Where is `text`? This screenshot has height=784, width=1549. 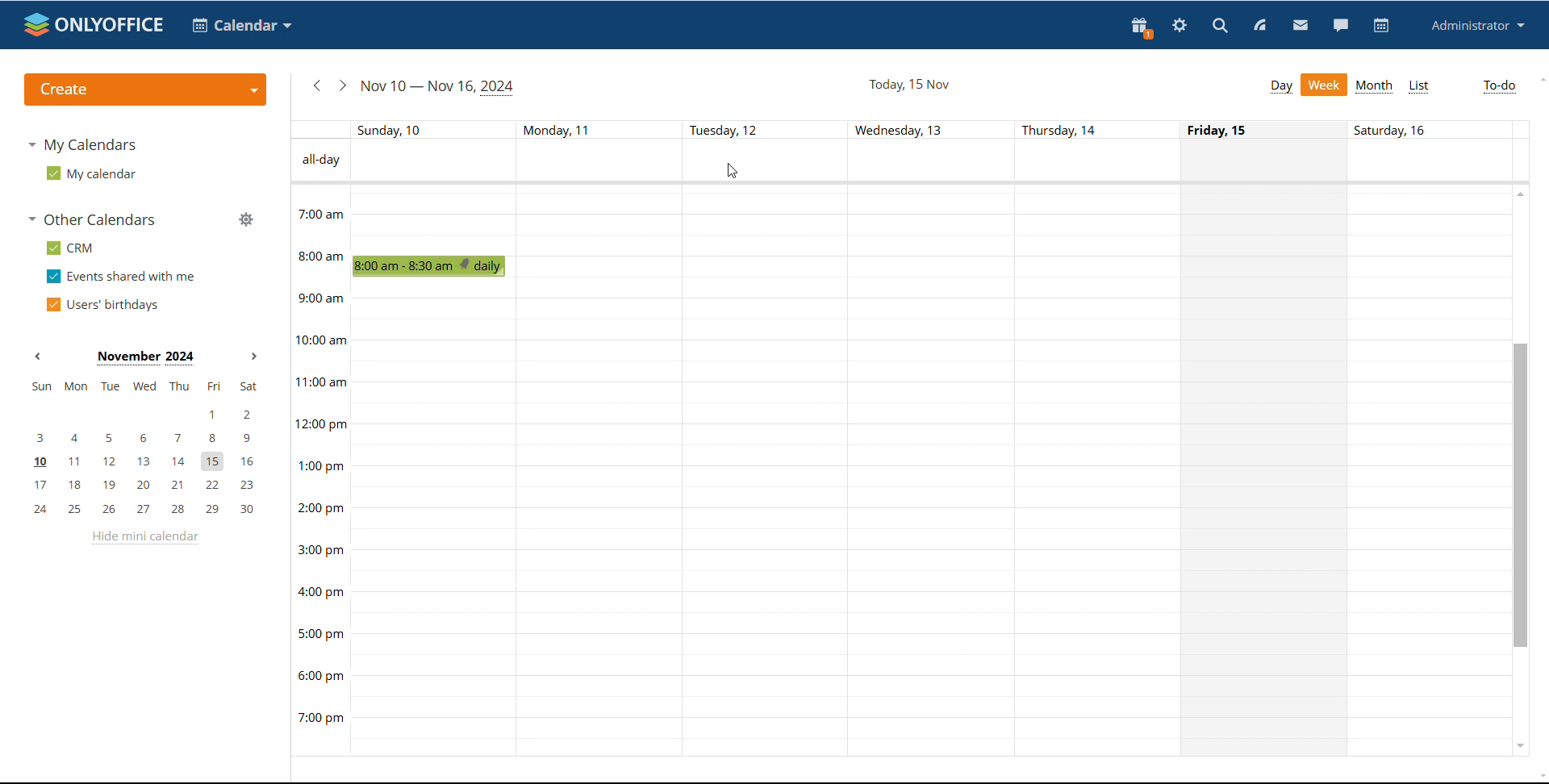
text is located at coordinates (726, 127).